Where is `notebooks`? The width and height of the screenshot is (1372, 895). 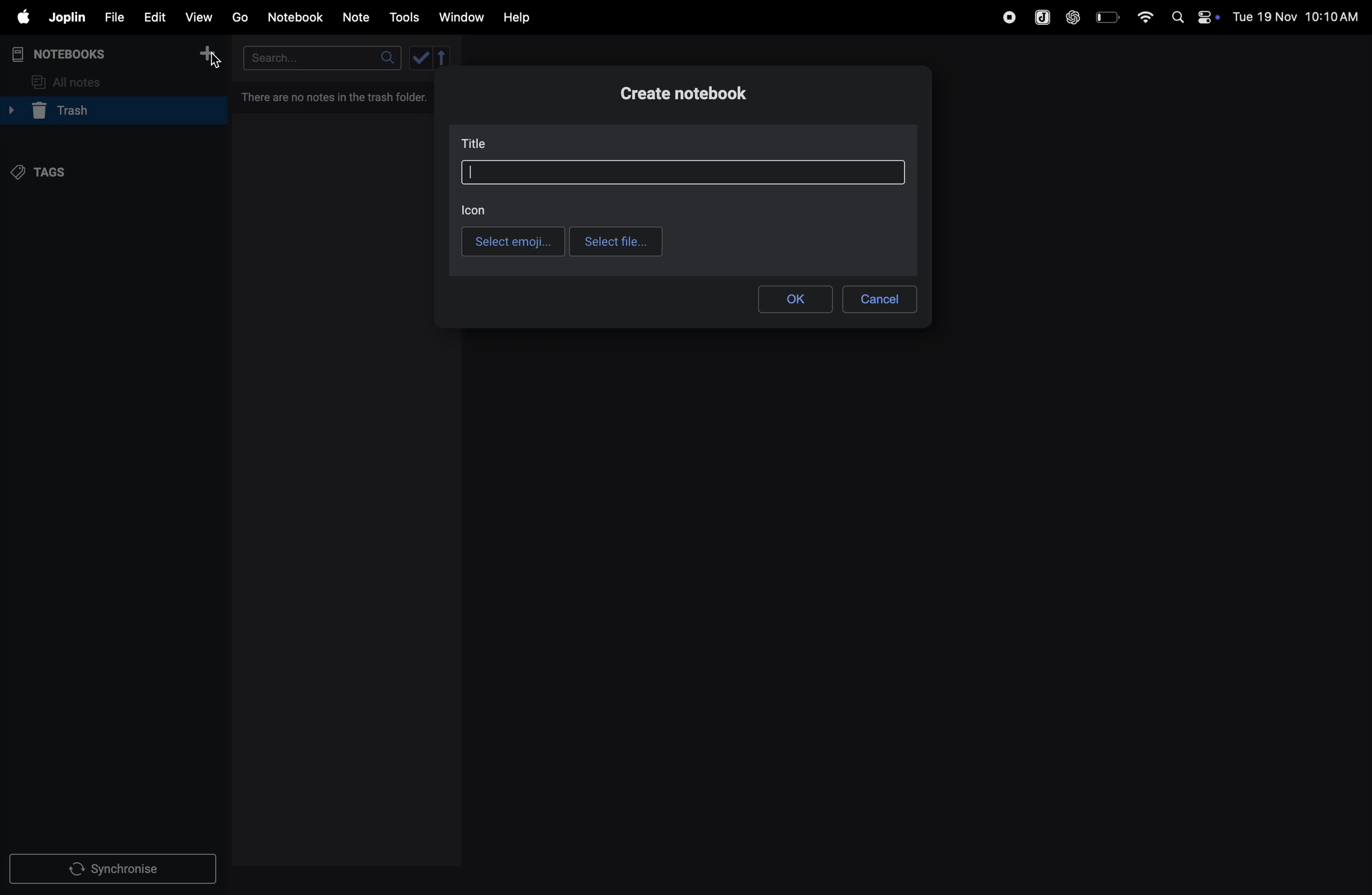
notebooks is located at coordinates (66, 52).